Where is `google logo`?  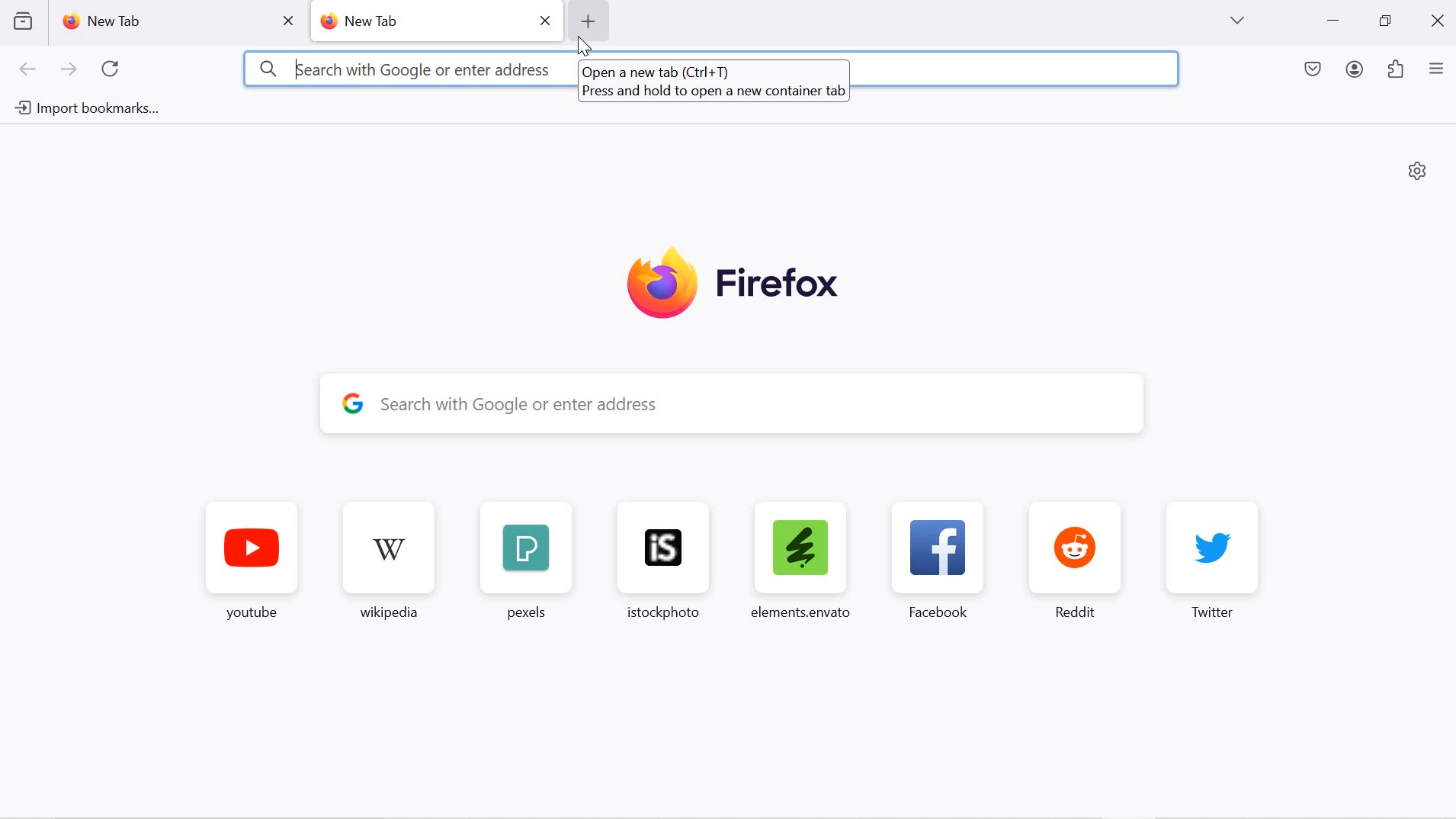 google logo is located at coordinates (353, 402).